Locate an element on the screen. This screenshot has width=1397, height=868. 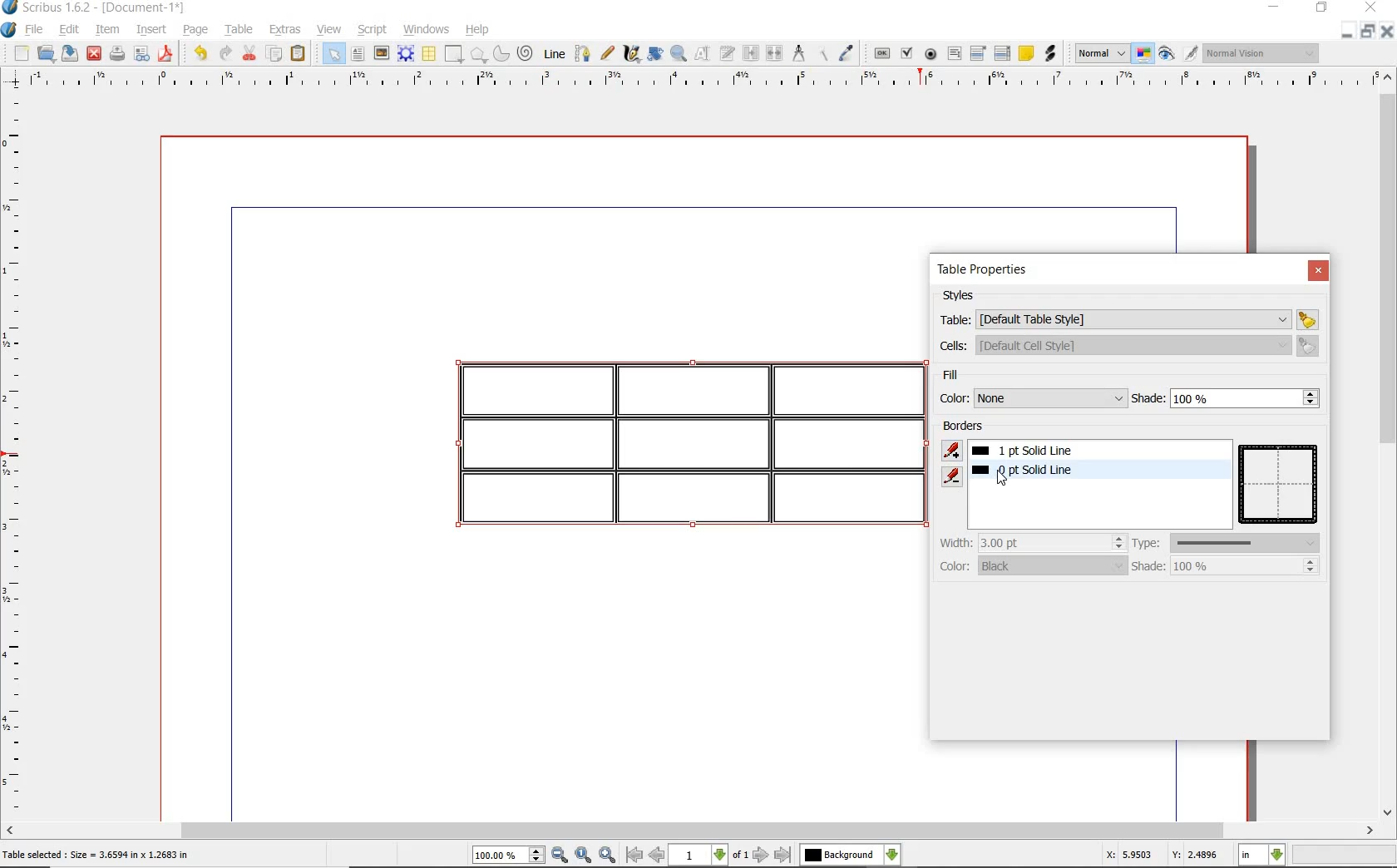
pdf radio button is located at coordinates (931, 55).